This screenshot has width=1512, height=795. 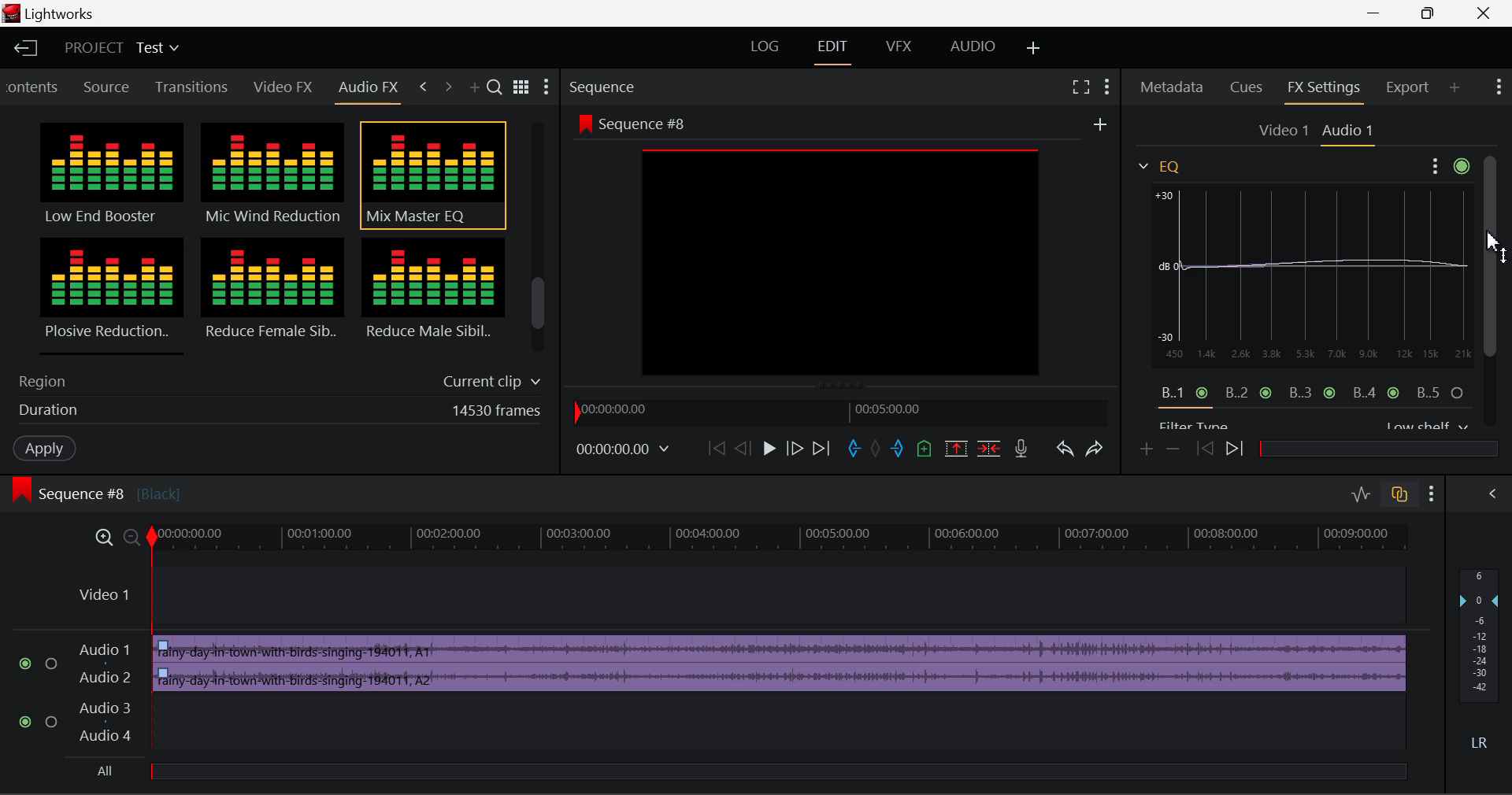 What do you see at coordinates (879, 449) in the screenshot?
I see `Remove all marks` at bounding box center [879, 449].